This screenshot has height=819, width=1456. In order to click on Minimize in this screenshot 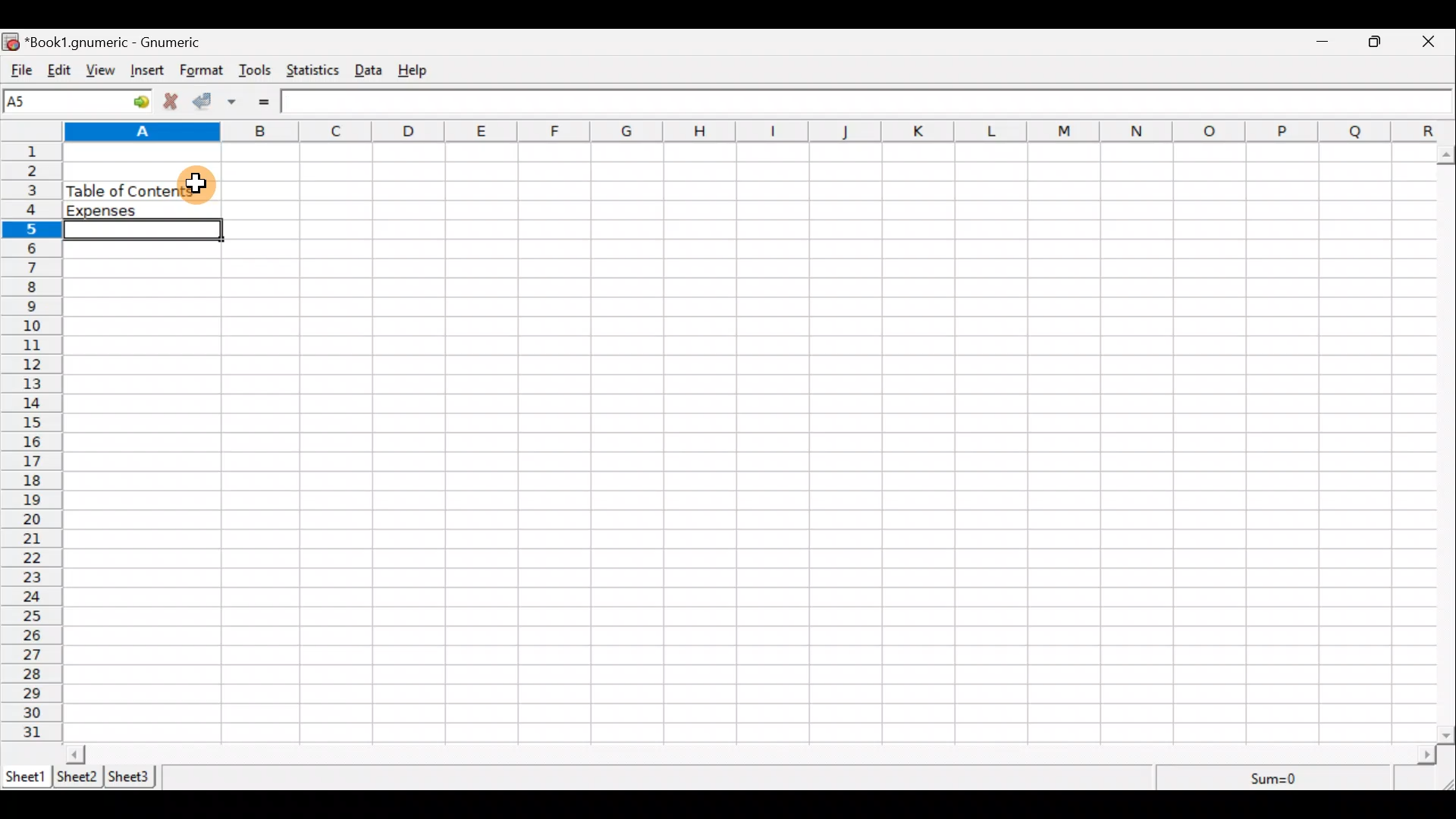, I will do `click(1323, 43)`.